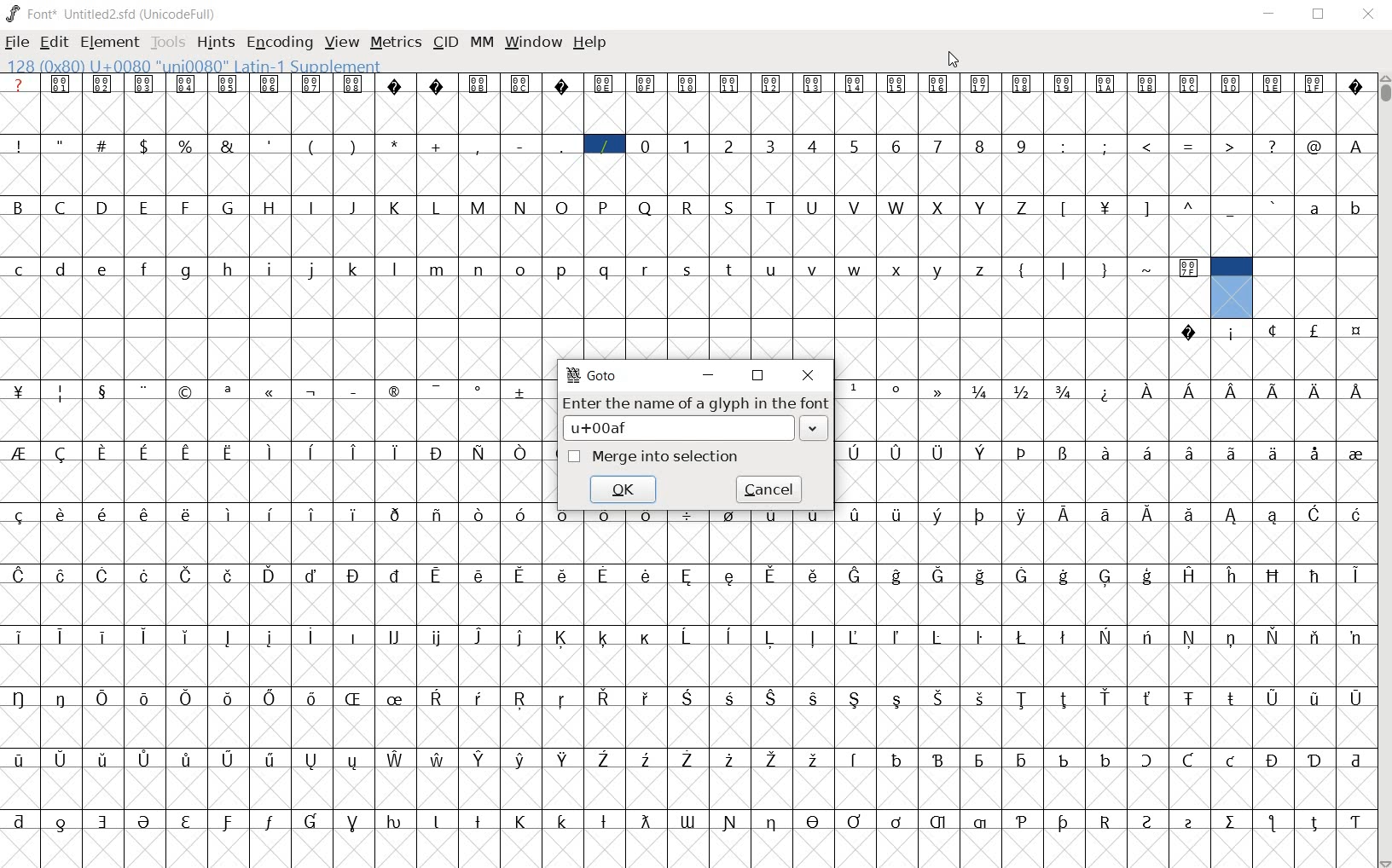 This screenshot has width=1392, height=868. Describe the element at coordinates (479, 575) in the screenshot. I see `Symbol` at that location.